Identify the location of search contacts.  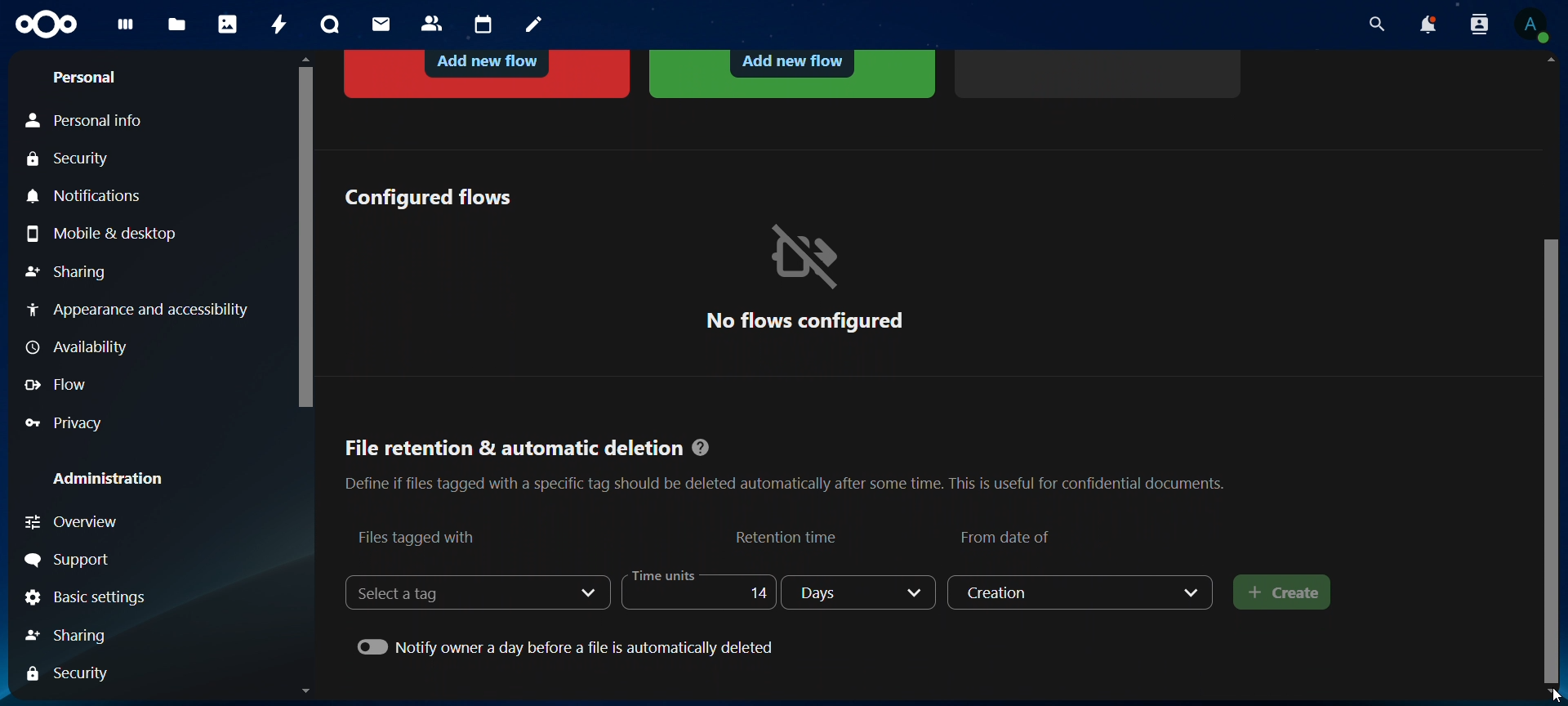
(1483, 25).